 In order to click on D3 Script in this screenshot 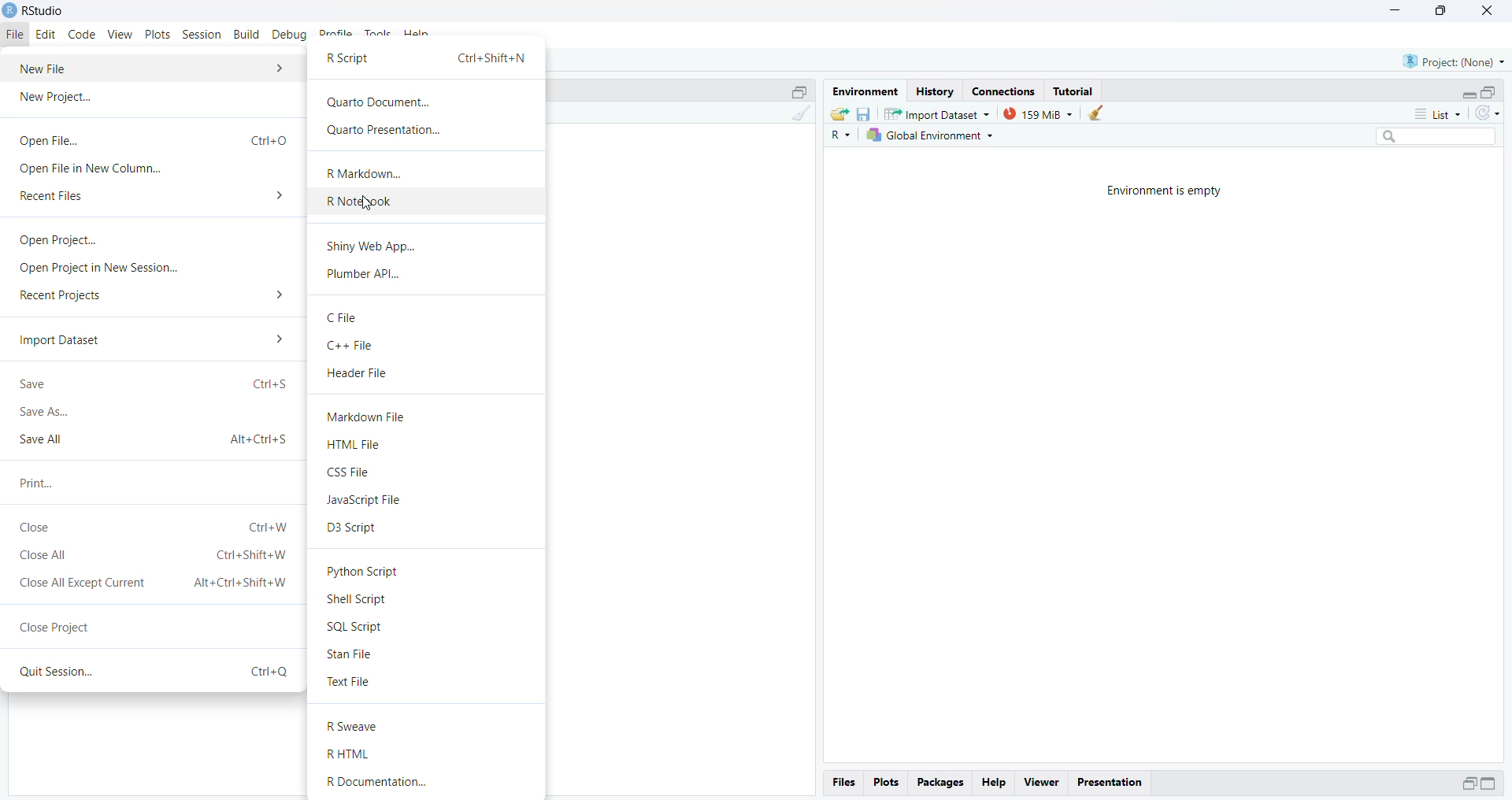, I will do `click(352, 528)`.